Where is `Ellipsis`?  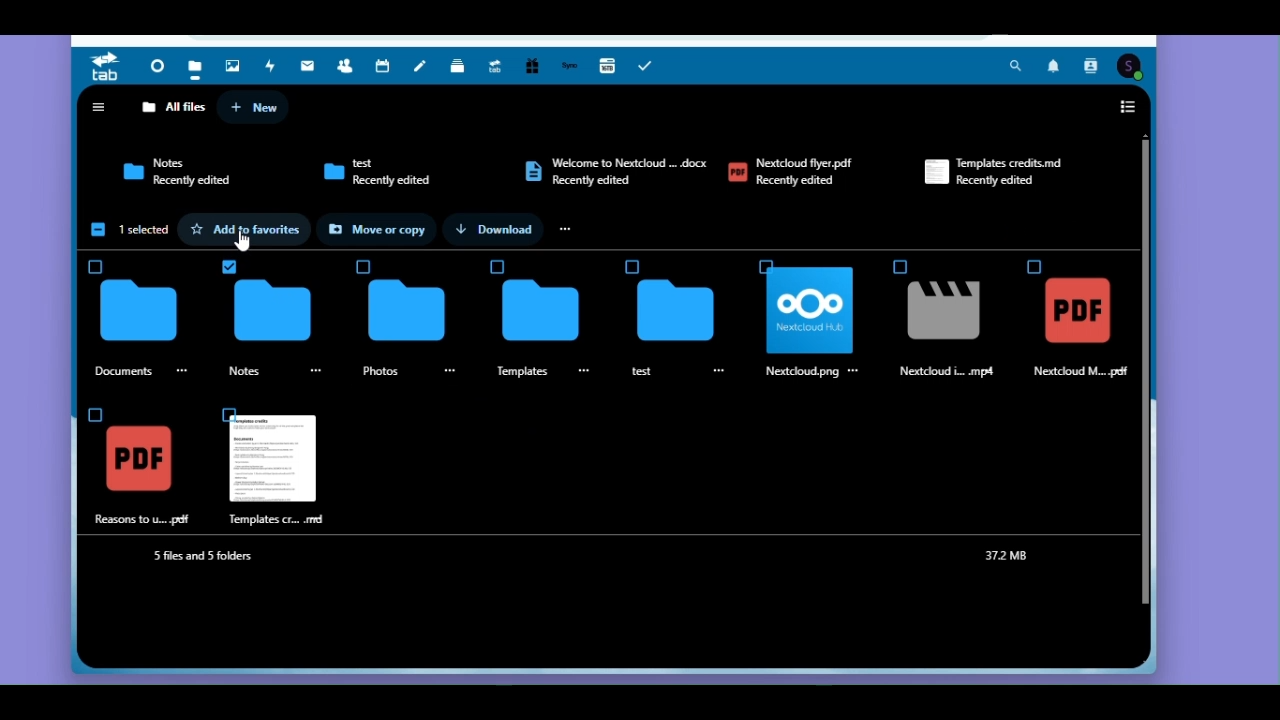
Ellipsis is located at coordinates (854, 372).